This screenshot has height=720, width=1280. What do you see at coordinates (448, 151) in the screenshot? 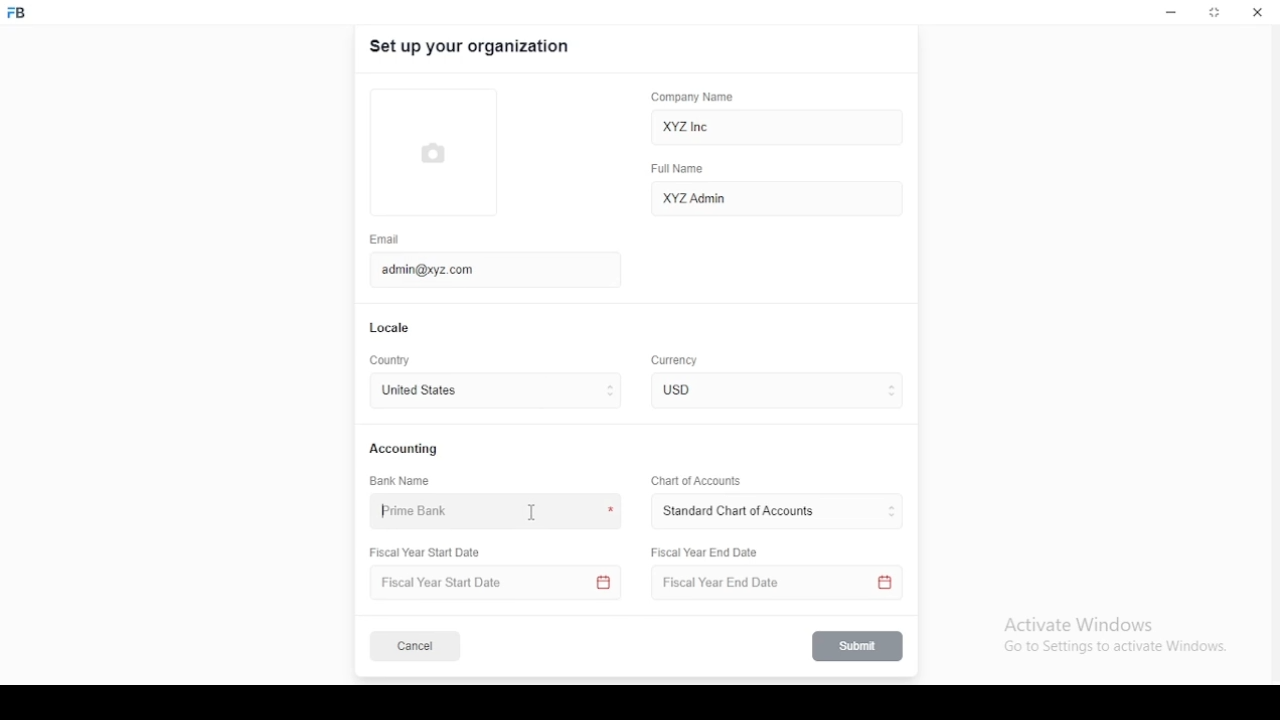
I see `logo tumbnail` at bounding box center [448, 151].